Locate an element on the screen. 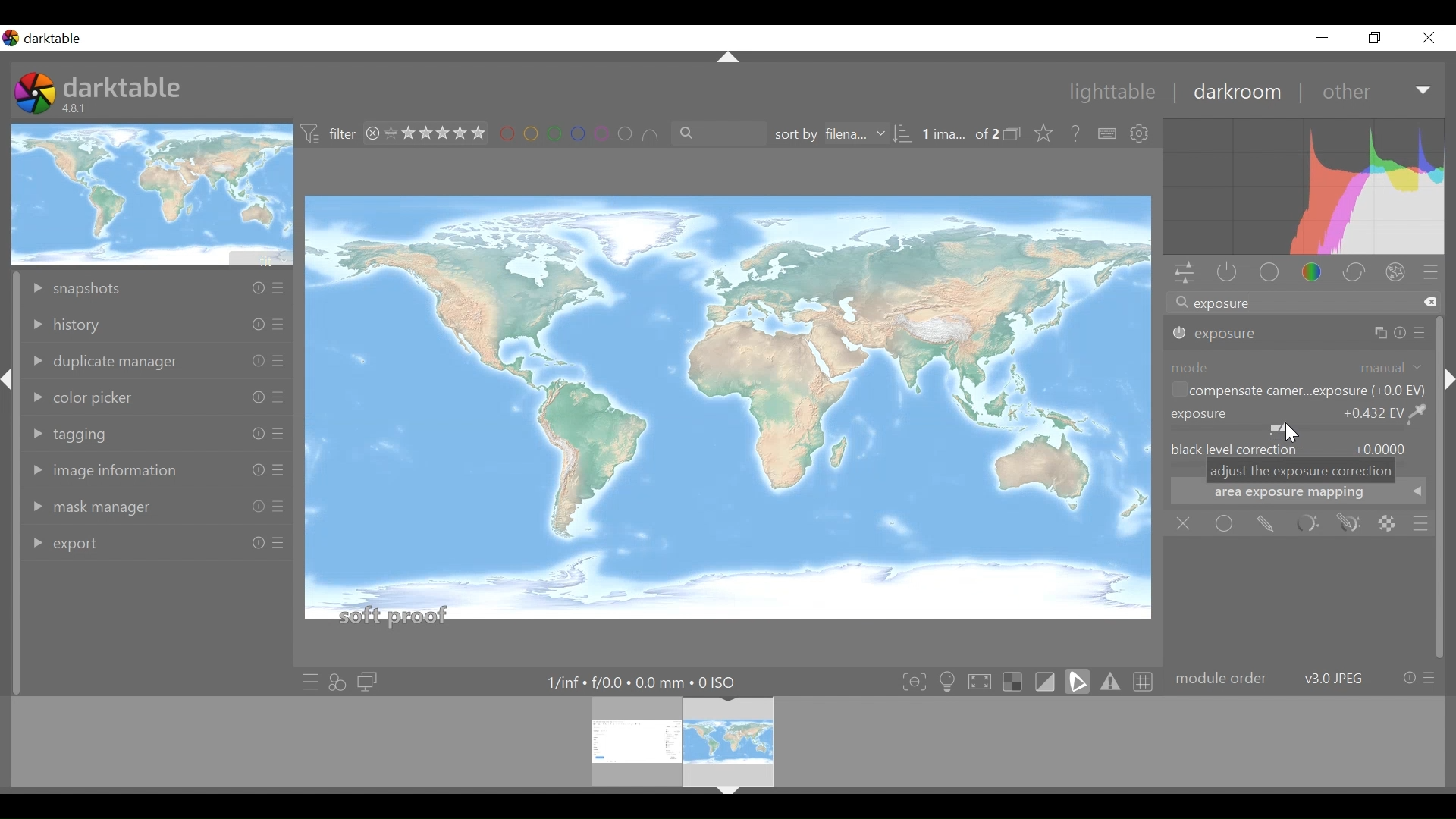 The image size is (1456, 819). search module by name or  tag is located at coordinates (1302, 304).